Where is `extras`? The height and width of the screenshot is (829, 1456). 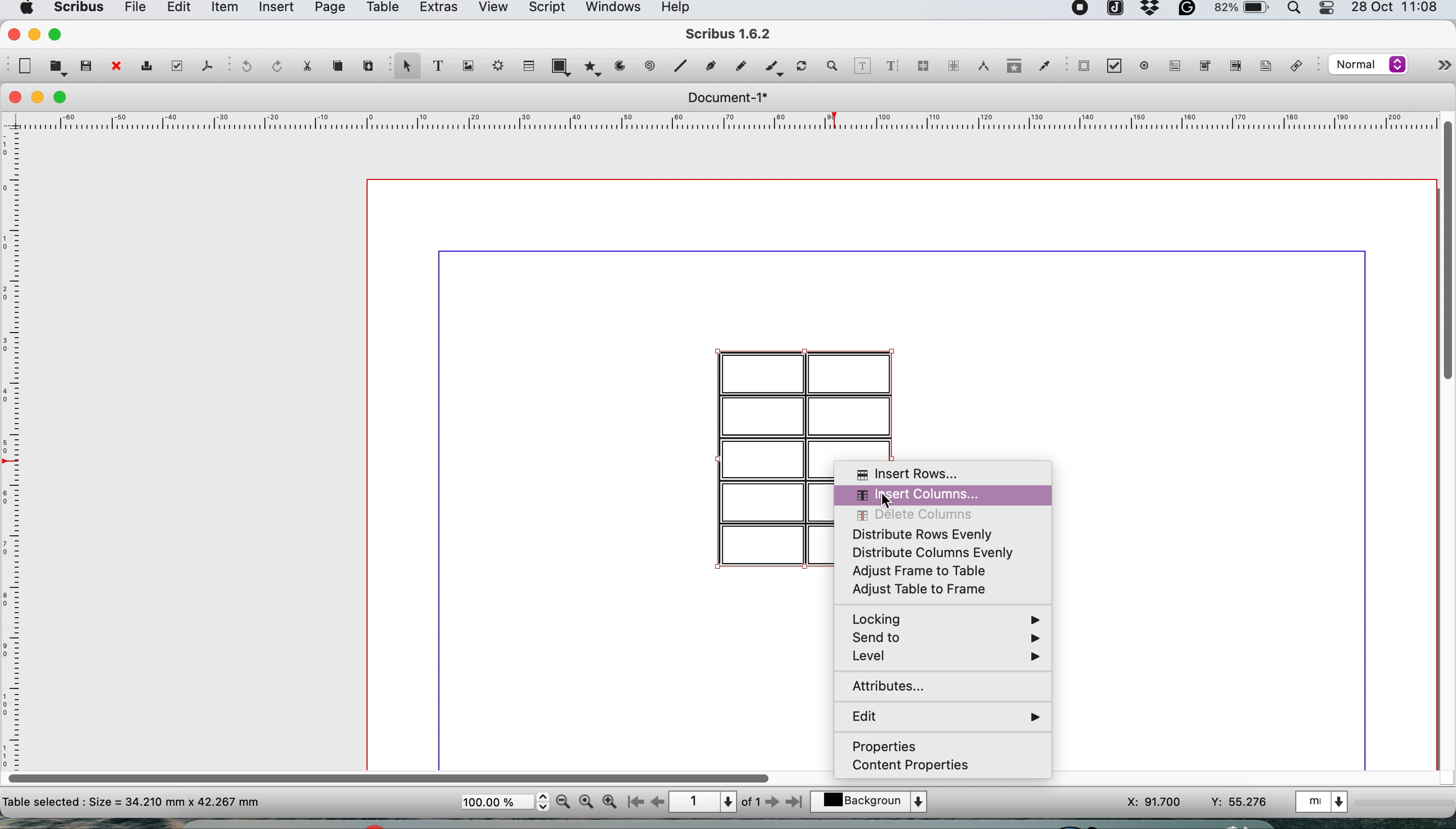 extras is located at coordinates (438, 10).